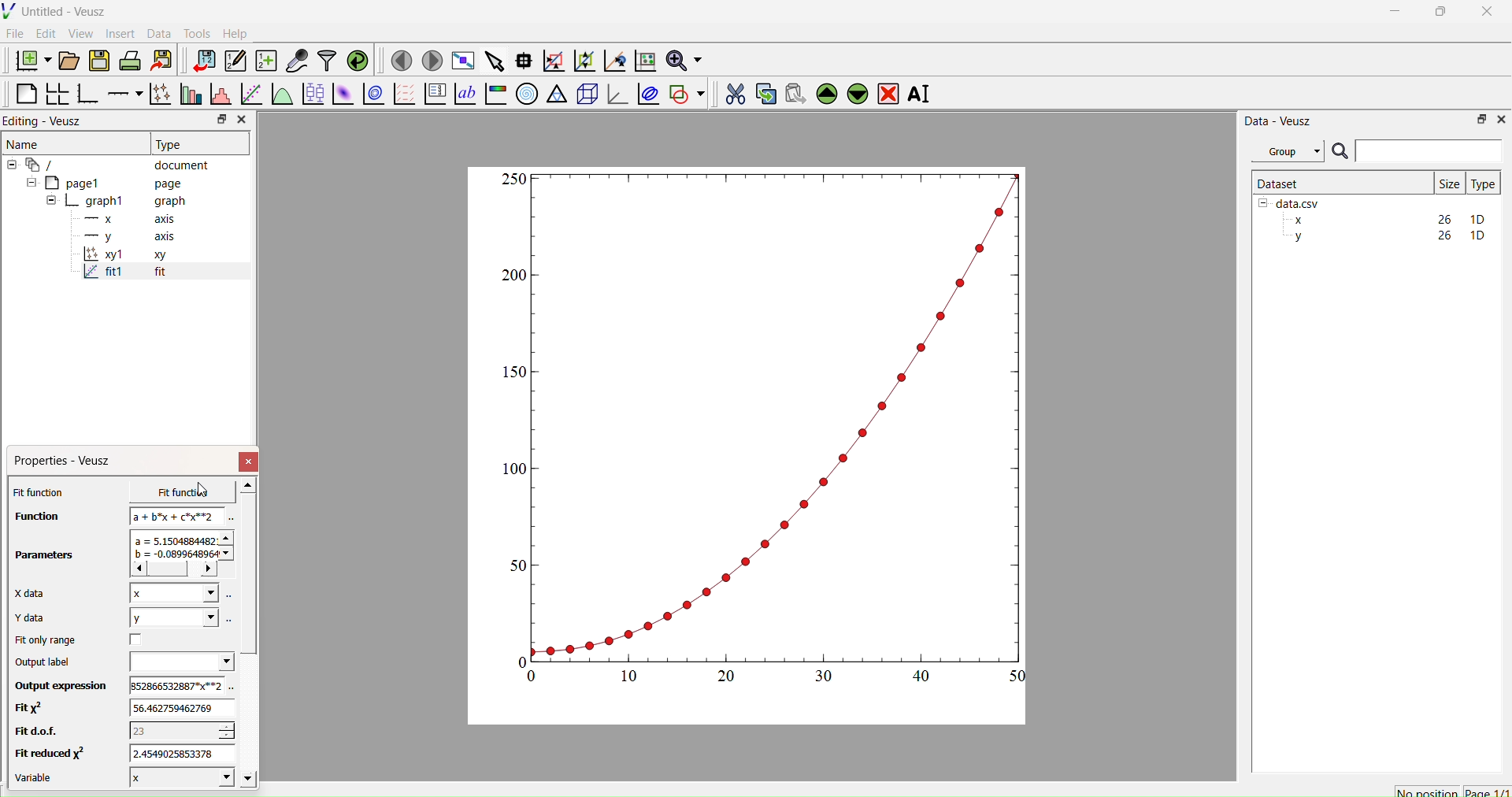 This screenshot has height=797, width=1512. I want to click on Select items, so click(493, 61).